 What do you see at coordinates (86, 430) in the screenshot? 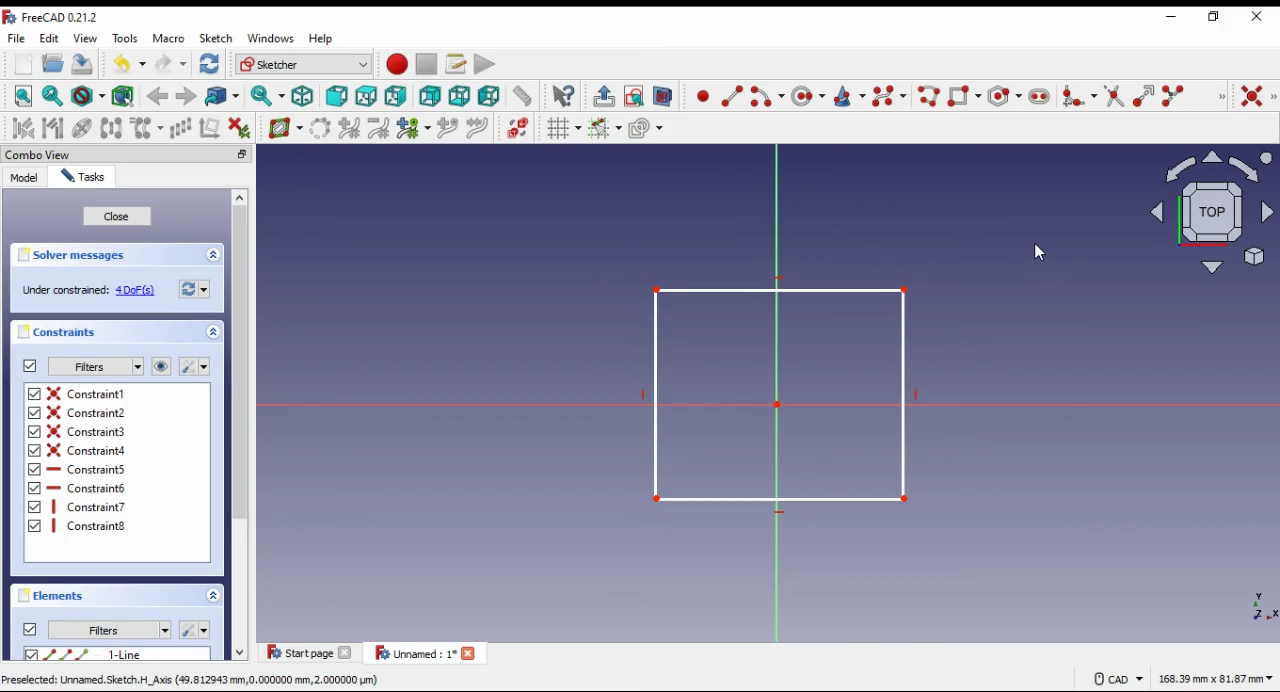
I see `on/off constraint 3` at bounding box center [86, 430].